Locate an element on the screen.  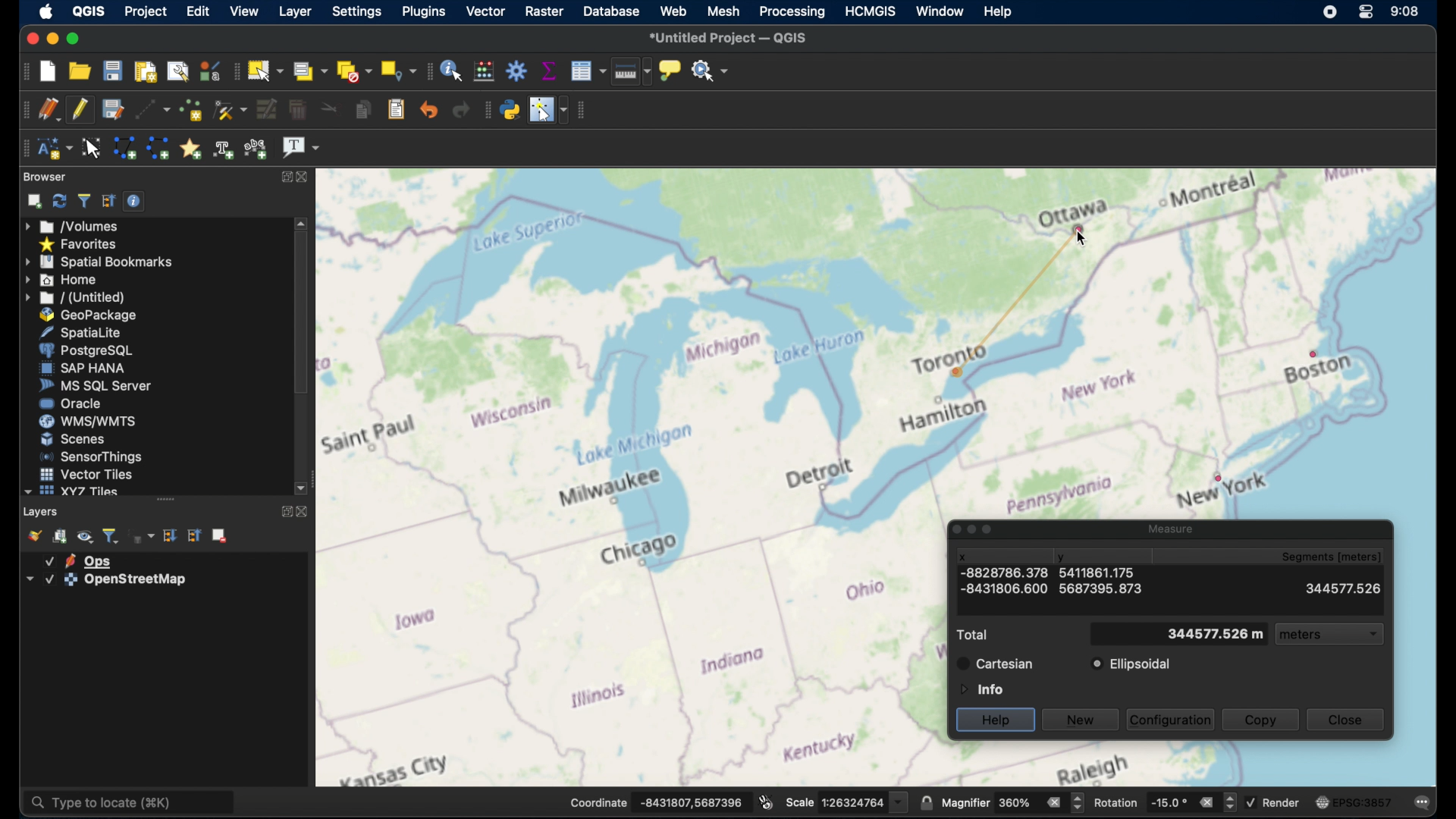
window is located at coordinates (941, 10).